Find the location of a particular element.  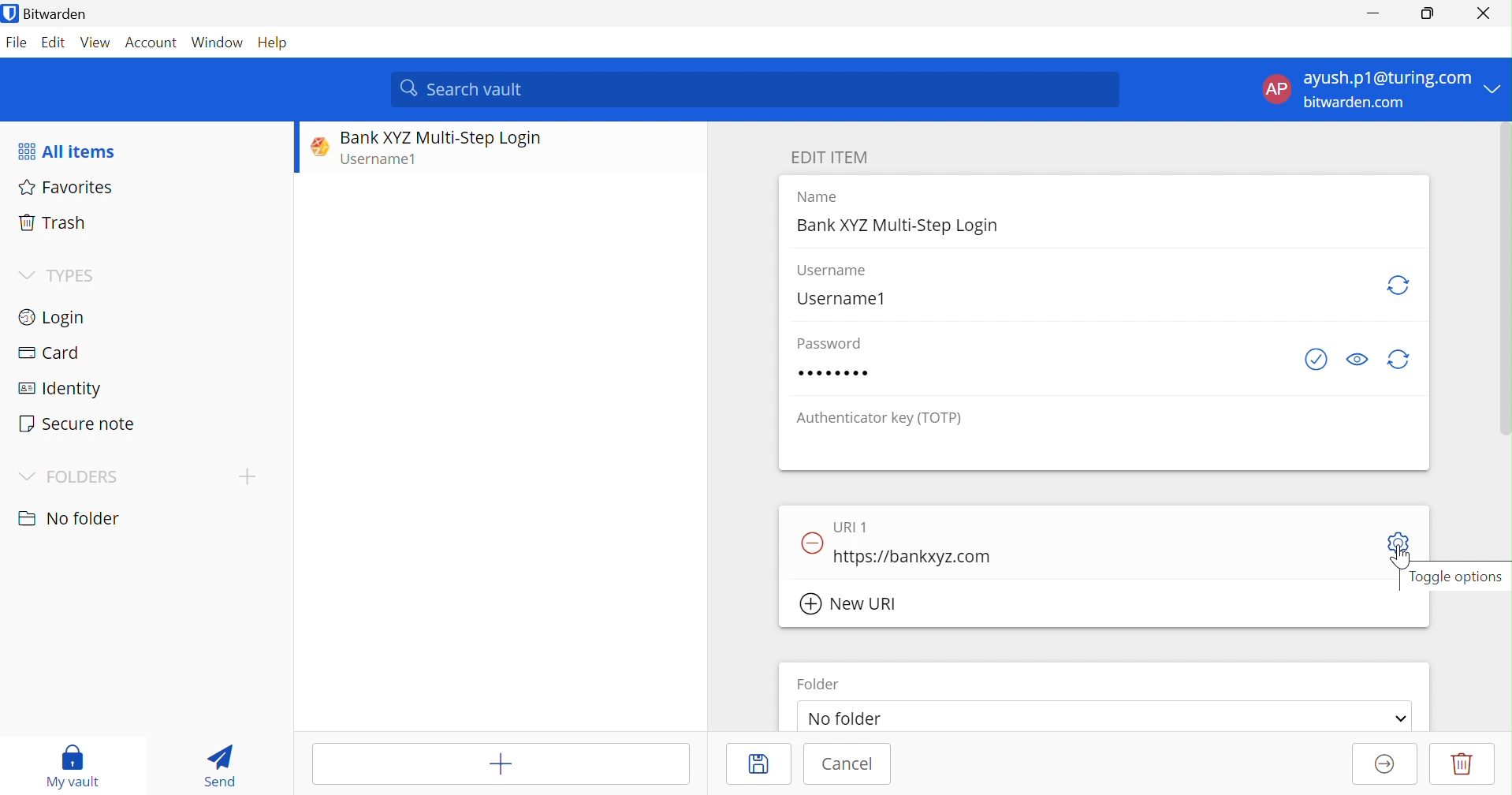

FOLDERS is located at coordinates (84, 477).